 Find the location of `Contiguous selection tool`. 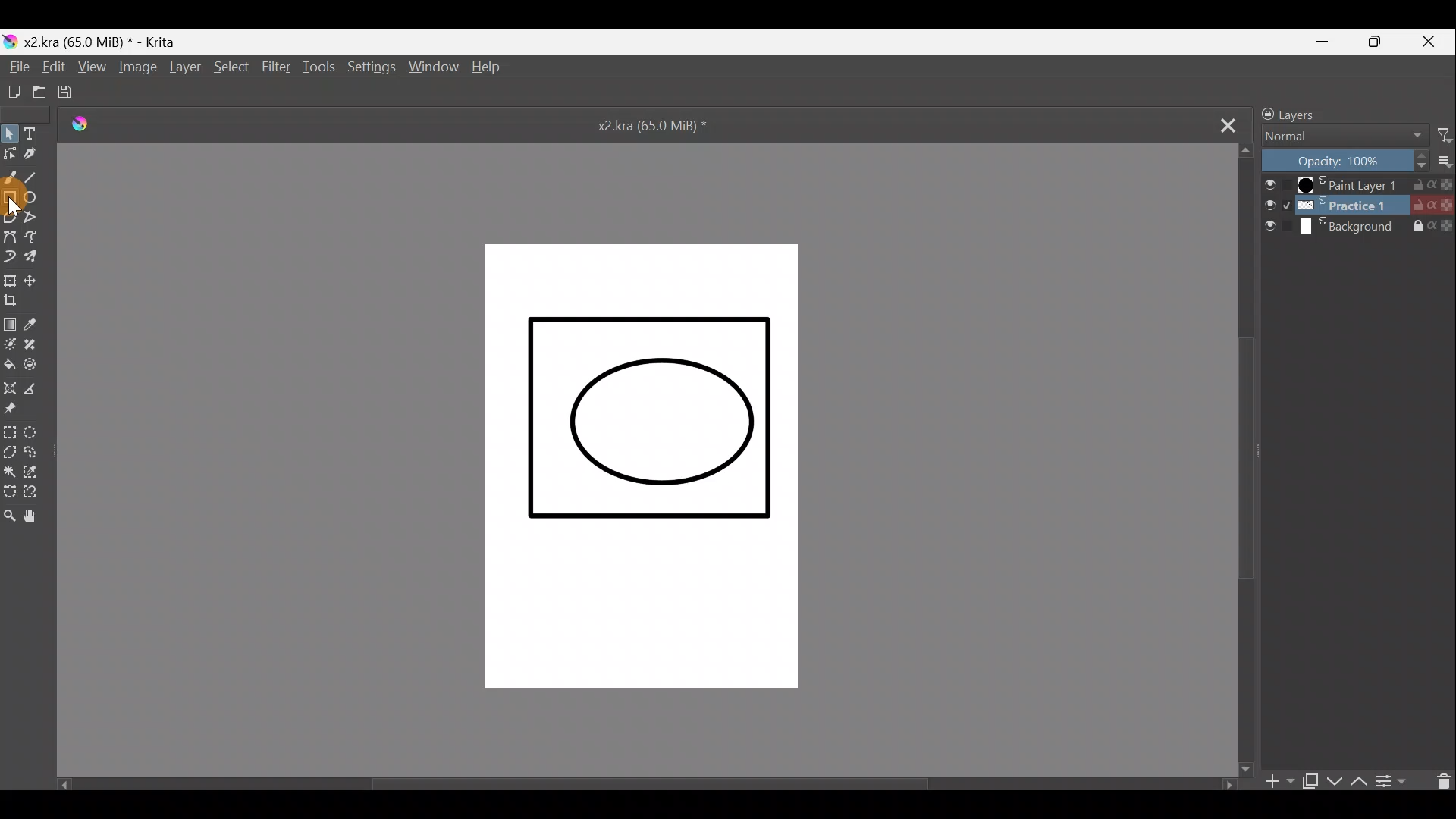

Contiguous selection tool is located at coordinates (10, 473).